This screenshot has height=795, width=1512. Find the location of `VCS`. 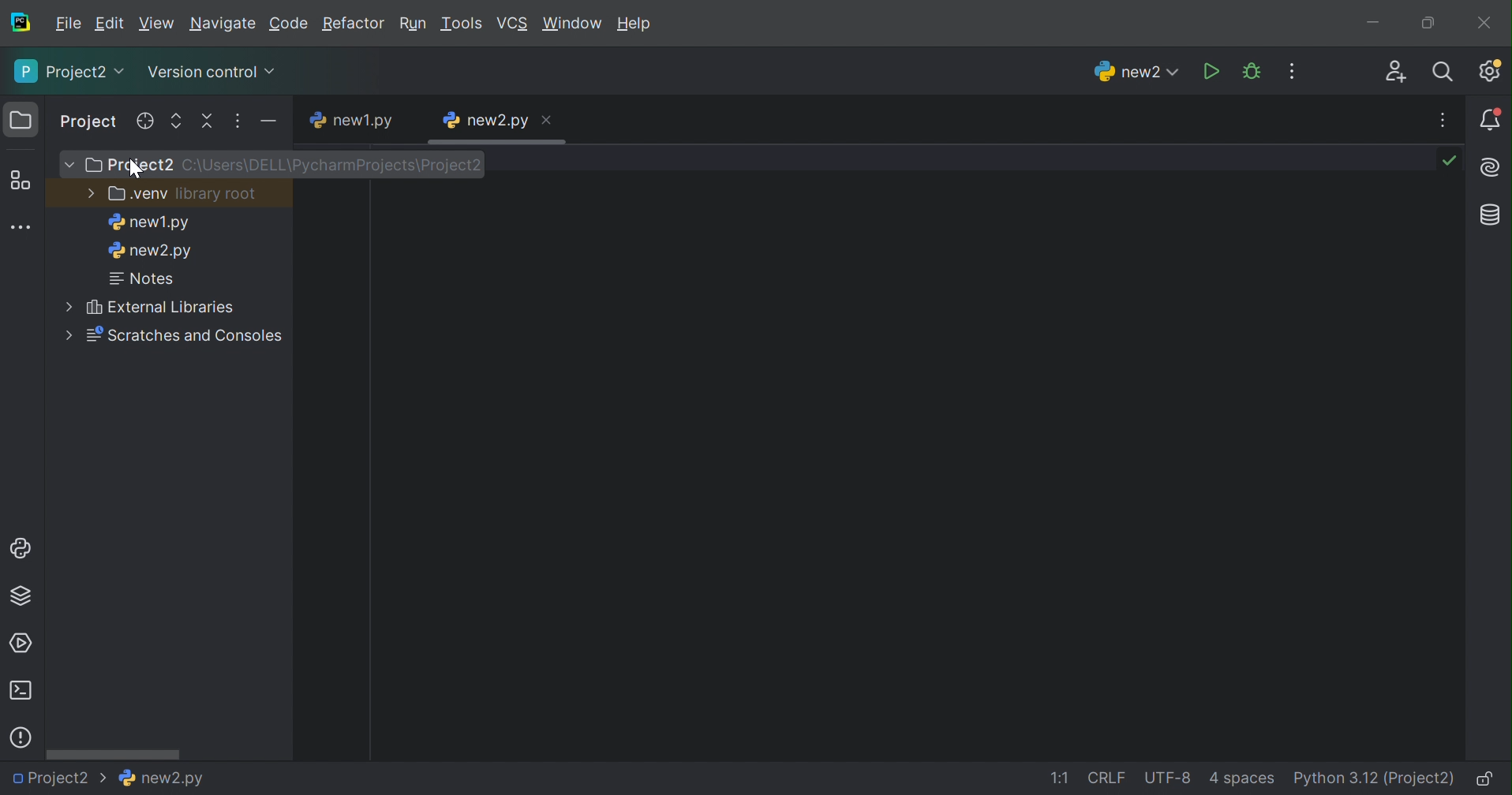

VCS is located at coordinates (515, 22).